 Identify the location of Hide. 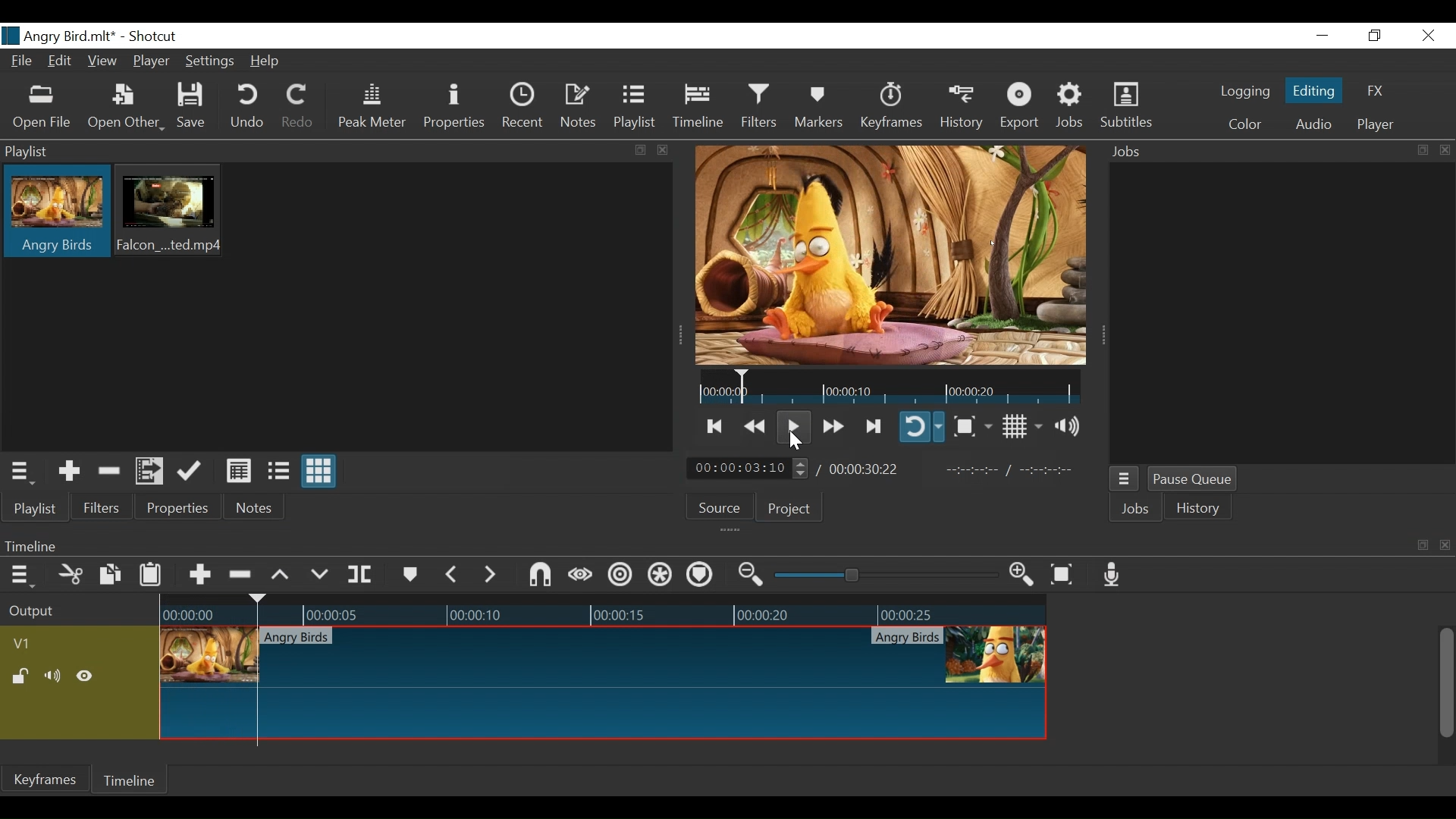
(89, 677).